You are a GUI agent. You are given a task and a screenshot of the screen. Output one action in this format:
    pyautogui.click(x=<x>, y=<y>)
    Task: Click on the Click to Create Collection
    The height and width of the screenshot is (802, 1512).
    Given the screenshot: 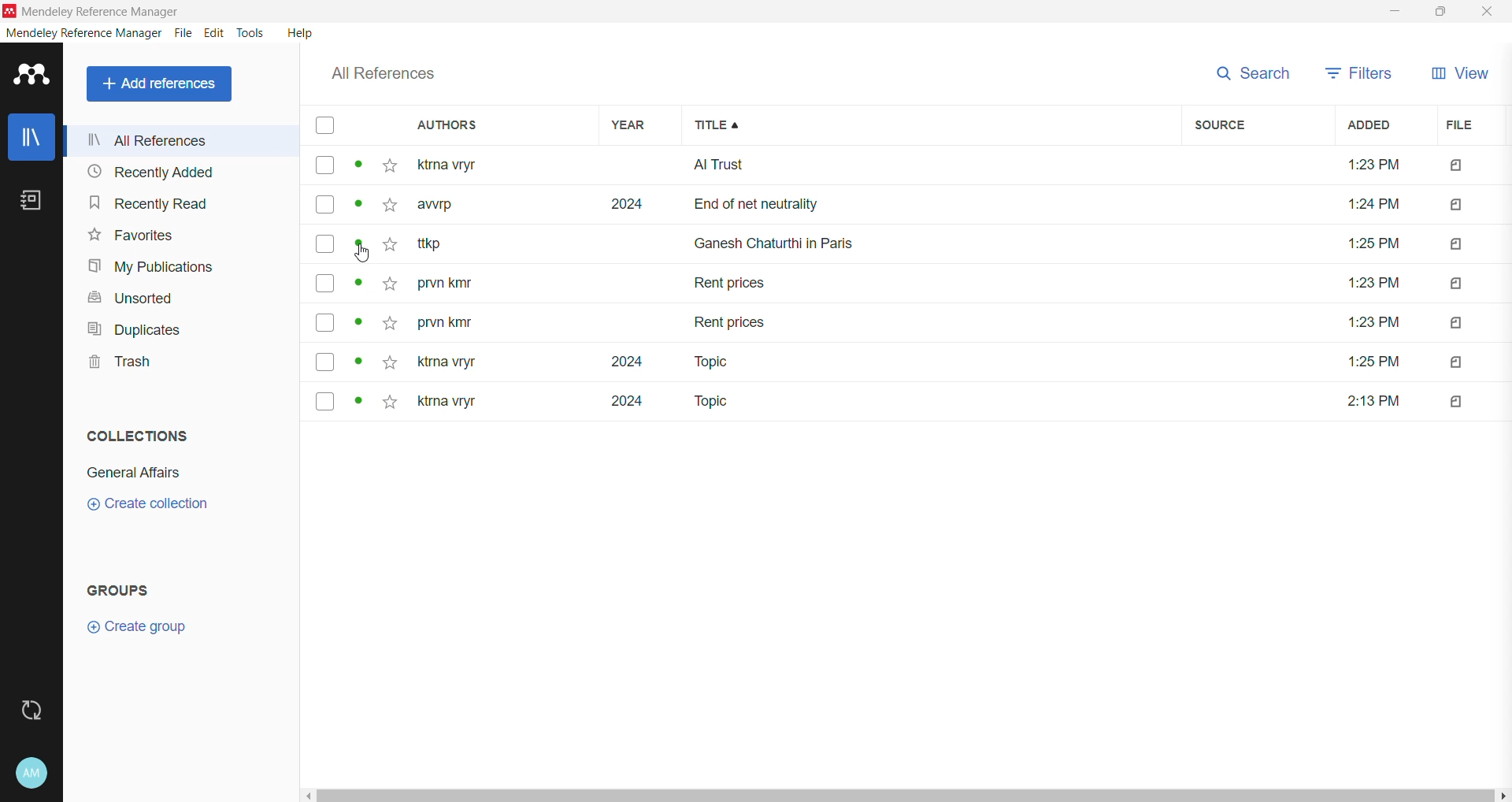 What is the action you would take?
    pyautogui.click(x=156, y=507)
    